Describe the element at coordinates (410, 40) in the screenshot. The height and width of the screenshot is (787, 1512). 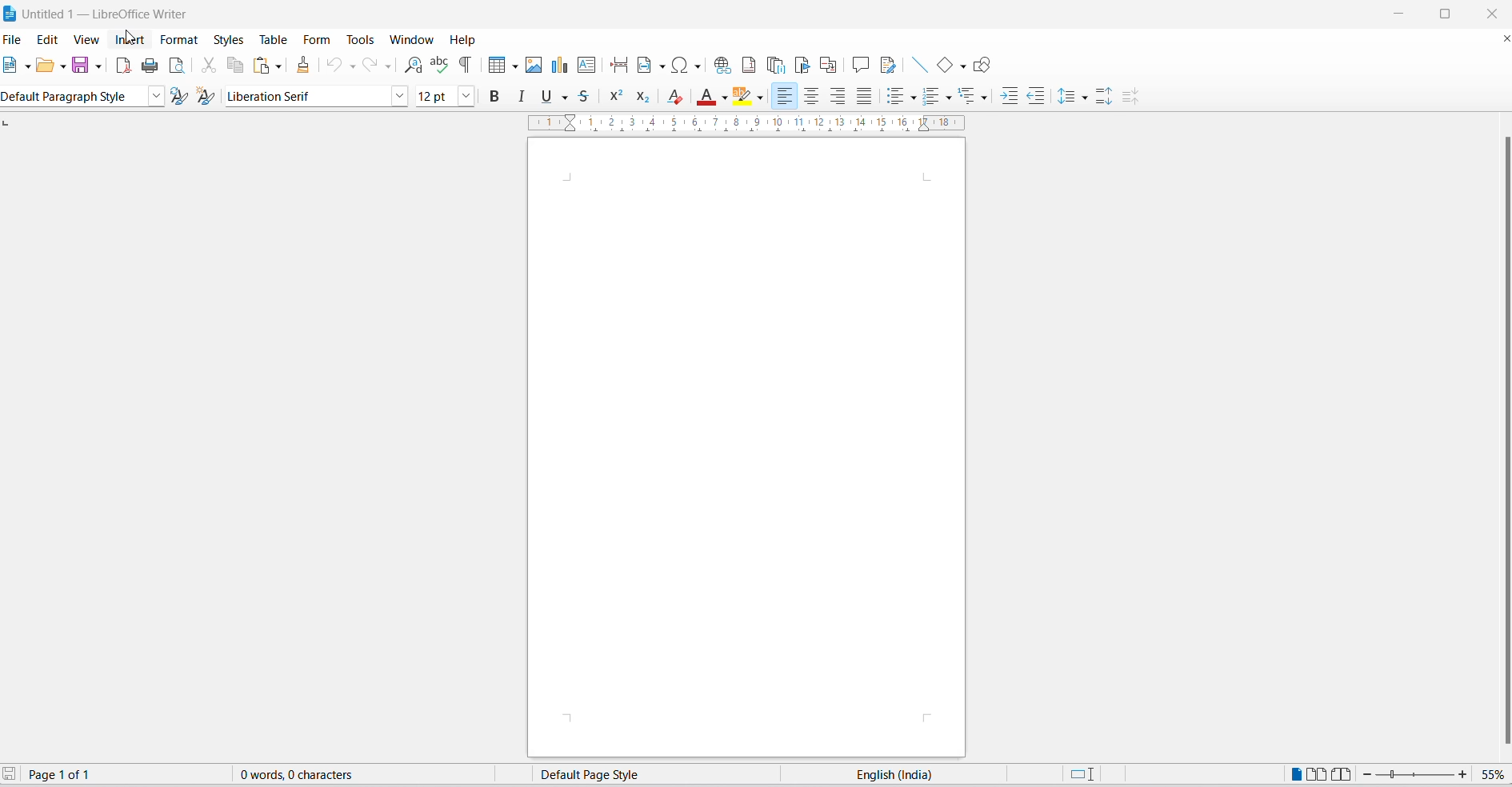
I see `window` at that location.